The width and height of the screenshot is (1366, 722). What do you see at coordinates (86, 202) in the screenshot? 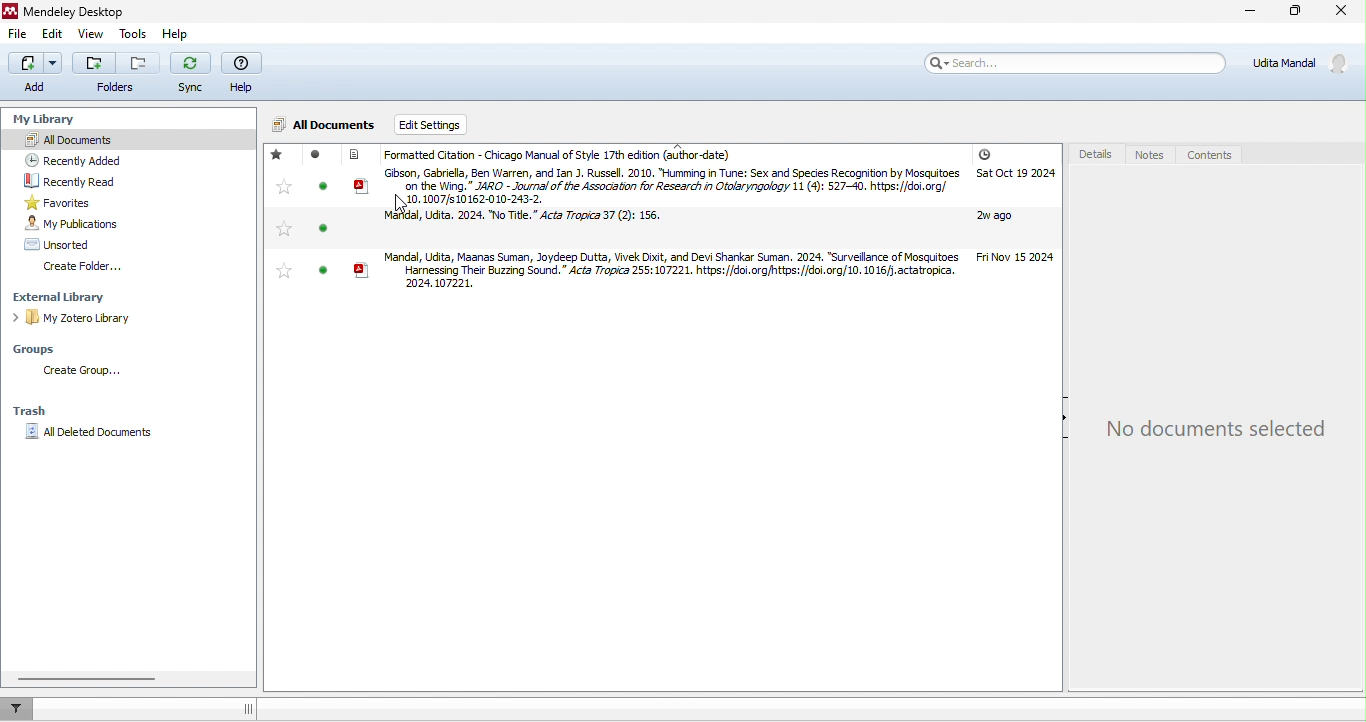
I see `favourites` at bounding box center [86, 202].